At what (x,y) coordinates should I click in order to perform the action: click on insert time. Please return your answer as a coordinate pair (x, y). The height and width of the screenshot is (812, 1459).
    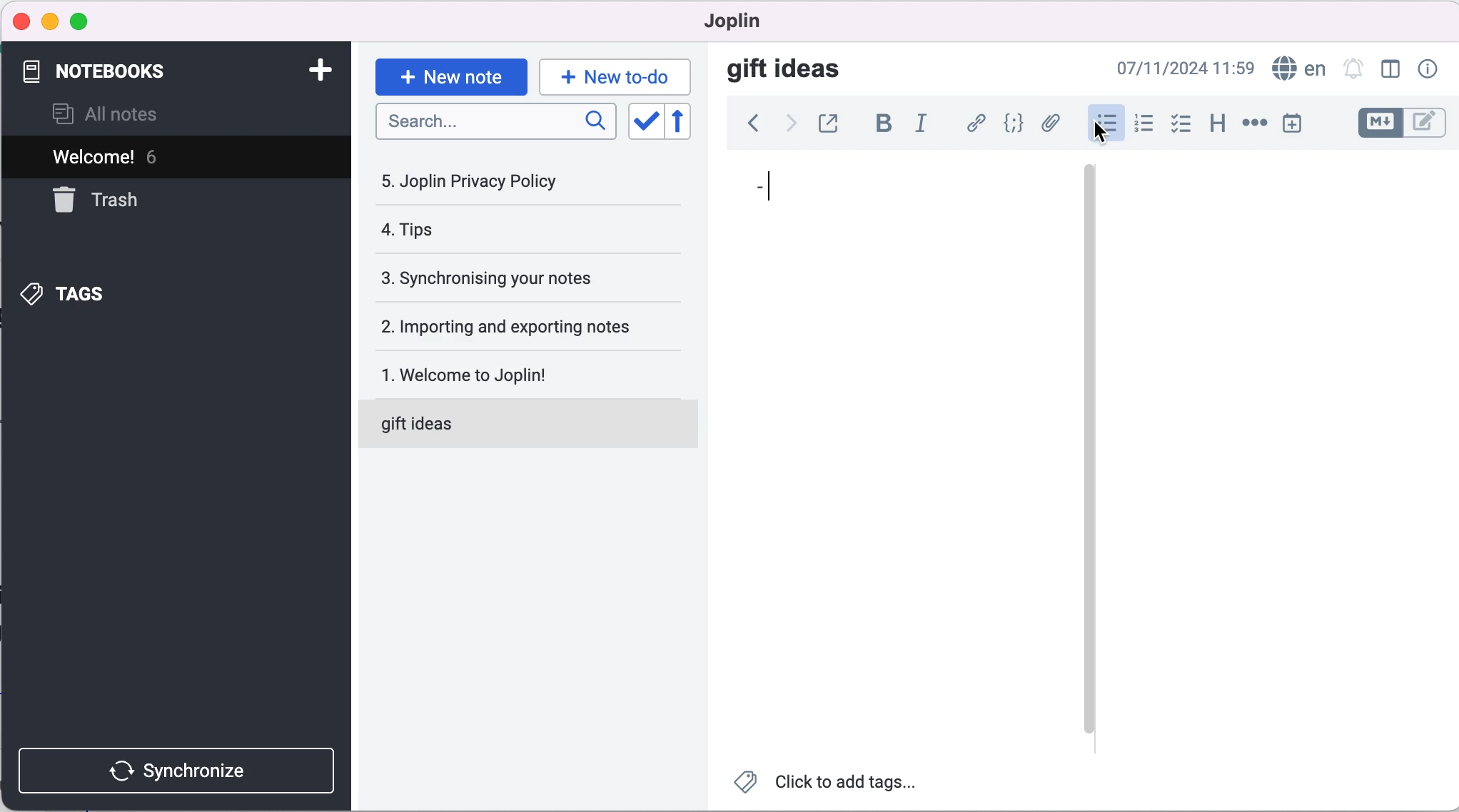
    Looking at the image, I should click on (1297, 126).